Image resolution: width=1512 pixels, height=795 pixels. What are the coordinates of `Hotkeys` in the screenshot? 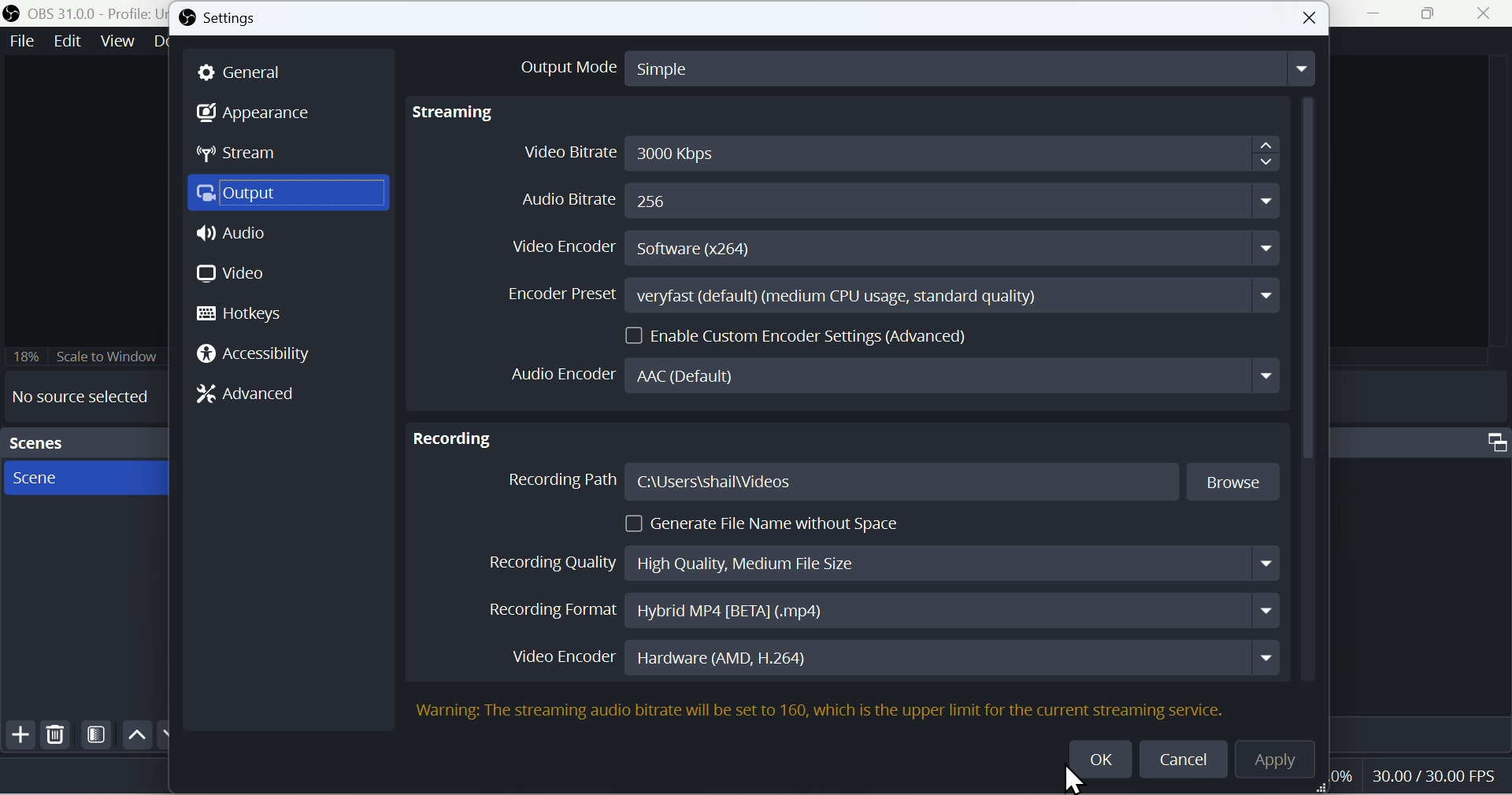 It's located at (248, 313).